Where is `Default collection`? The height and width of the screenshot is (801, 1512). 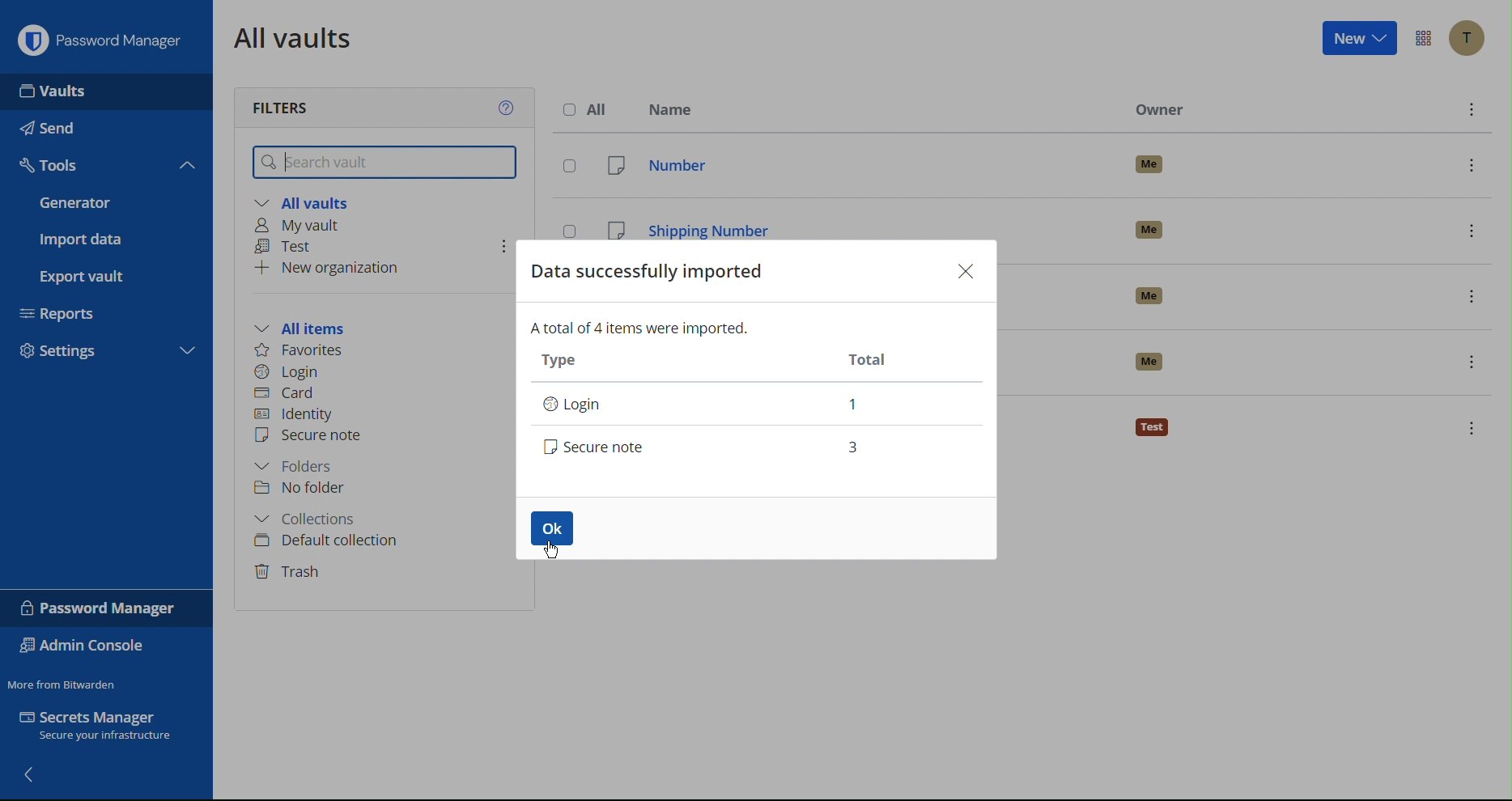
Default collection is located at coordinates (329, 541).